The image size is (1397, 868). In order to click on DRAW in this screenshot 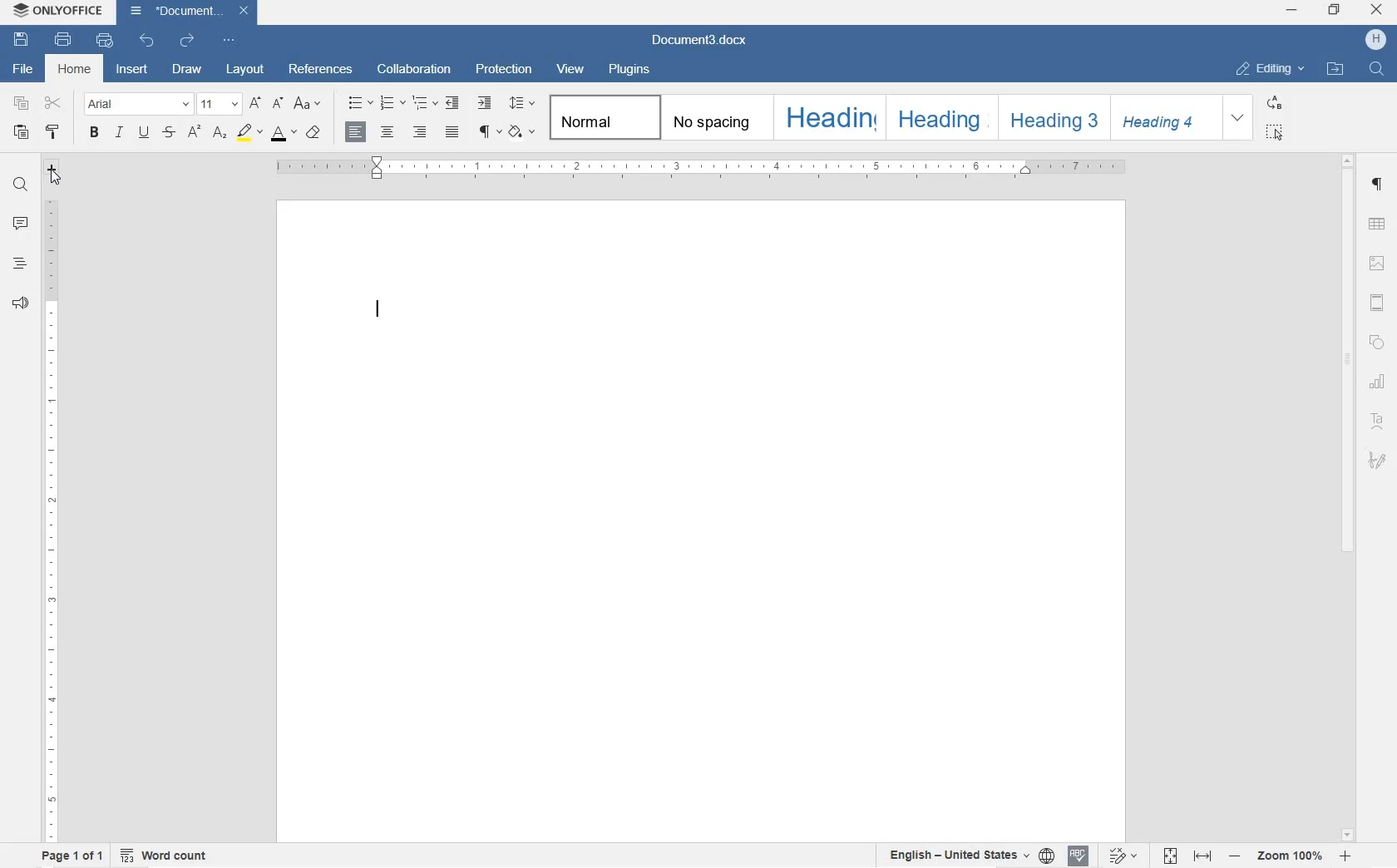, I will do `click(185, 68)`.